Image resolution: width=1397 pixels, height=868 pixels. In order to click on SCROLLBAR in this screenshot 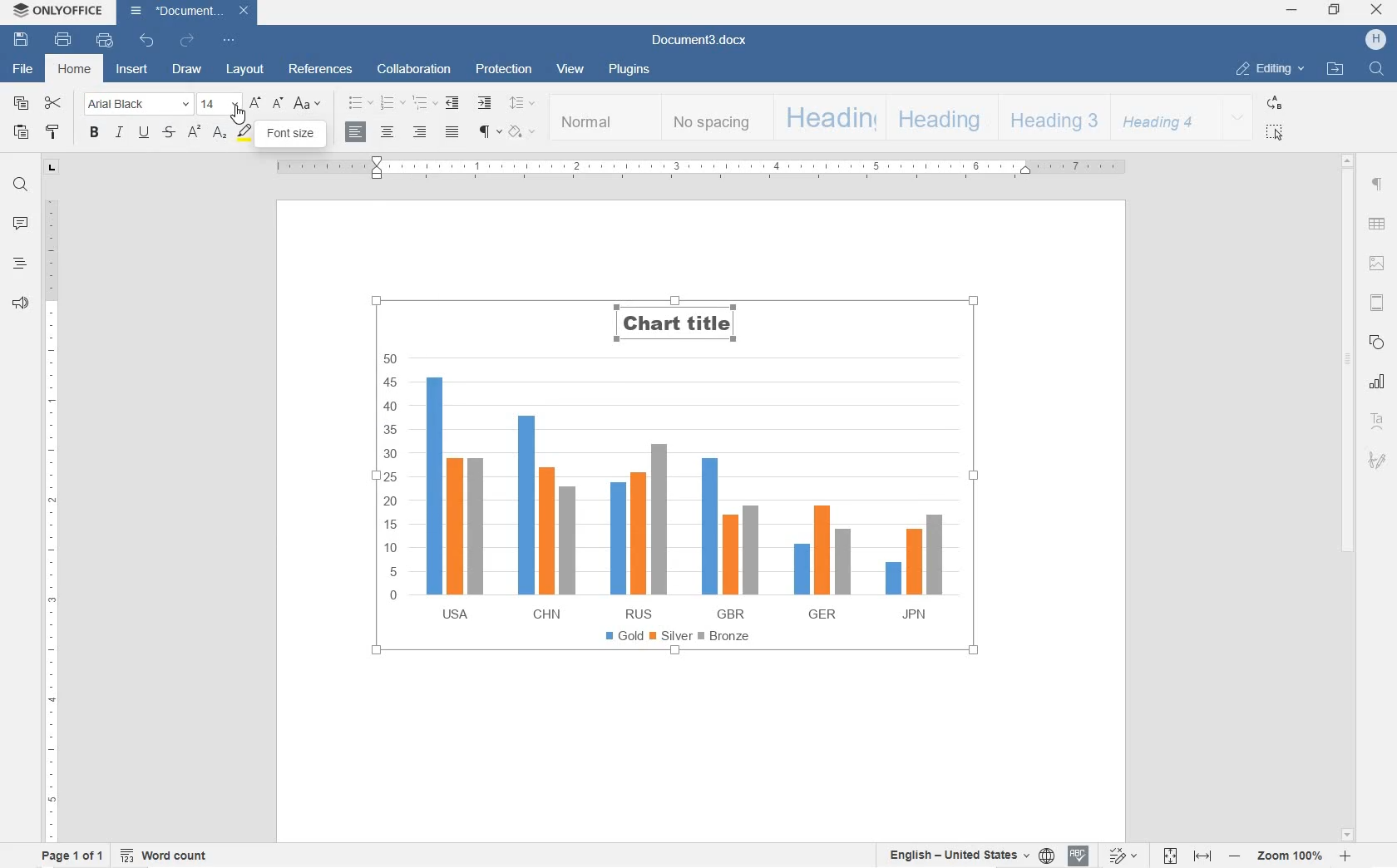, I will do `click(1346, 498)`.